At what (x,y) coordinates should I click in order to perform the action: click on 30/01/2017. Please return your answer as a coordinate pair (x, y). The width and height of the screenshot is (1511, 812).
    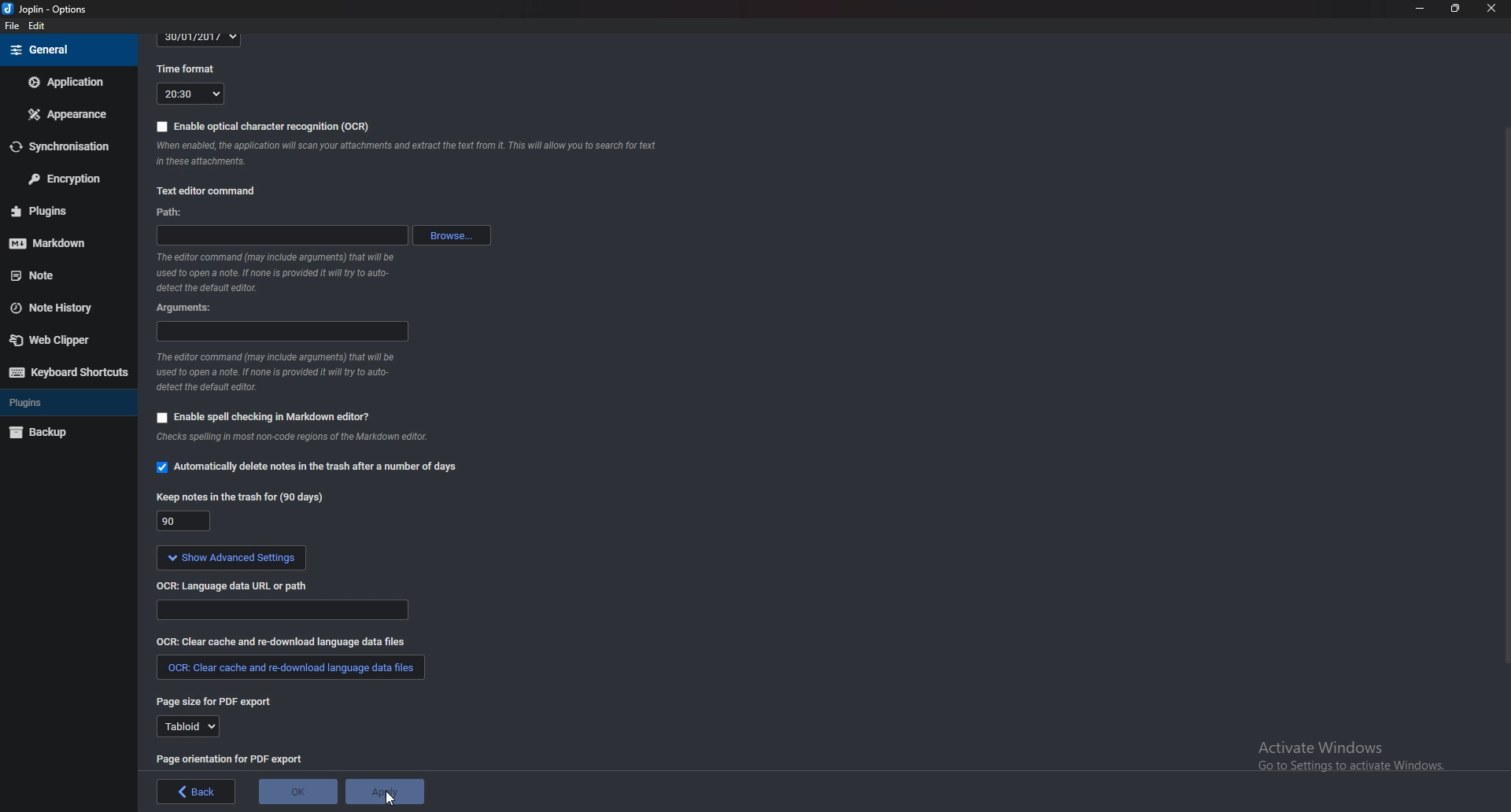
    Looking at the image, I should click on (200, 39).